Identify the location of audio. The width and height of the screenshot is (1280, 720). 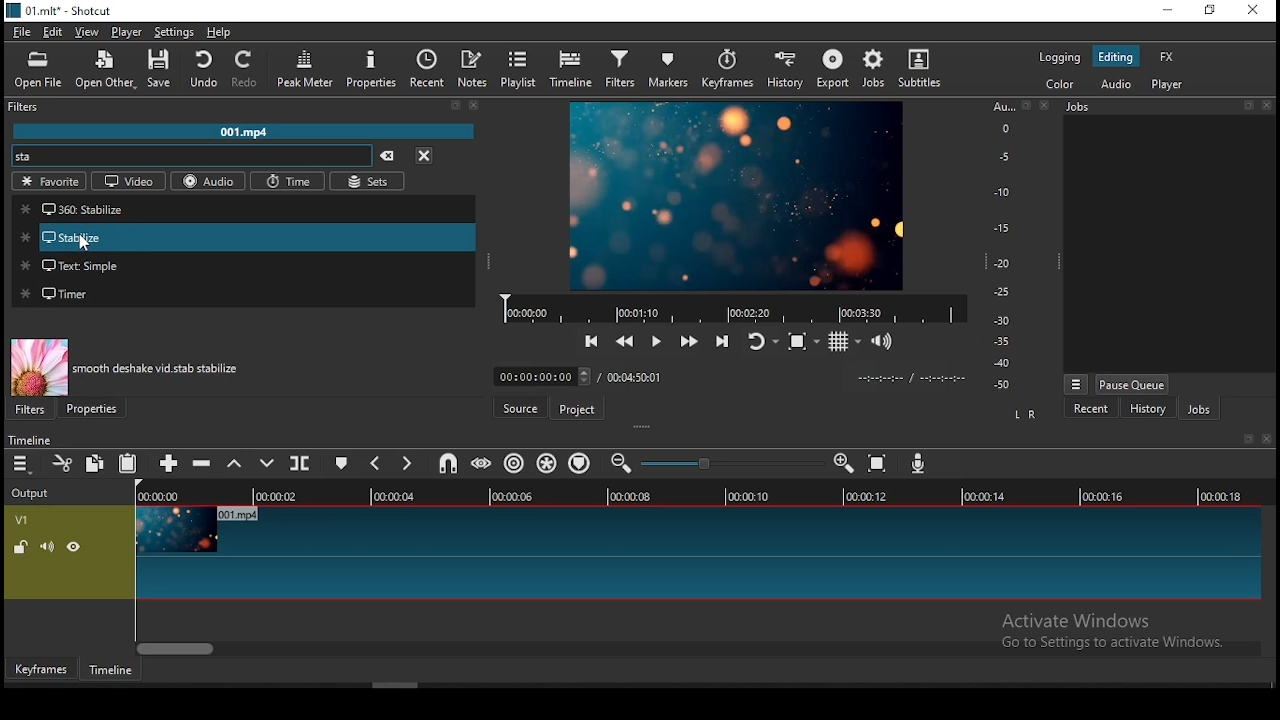
(209, 181).